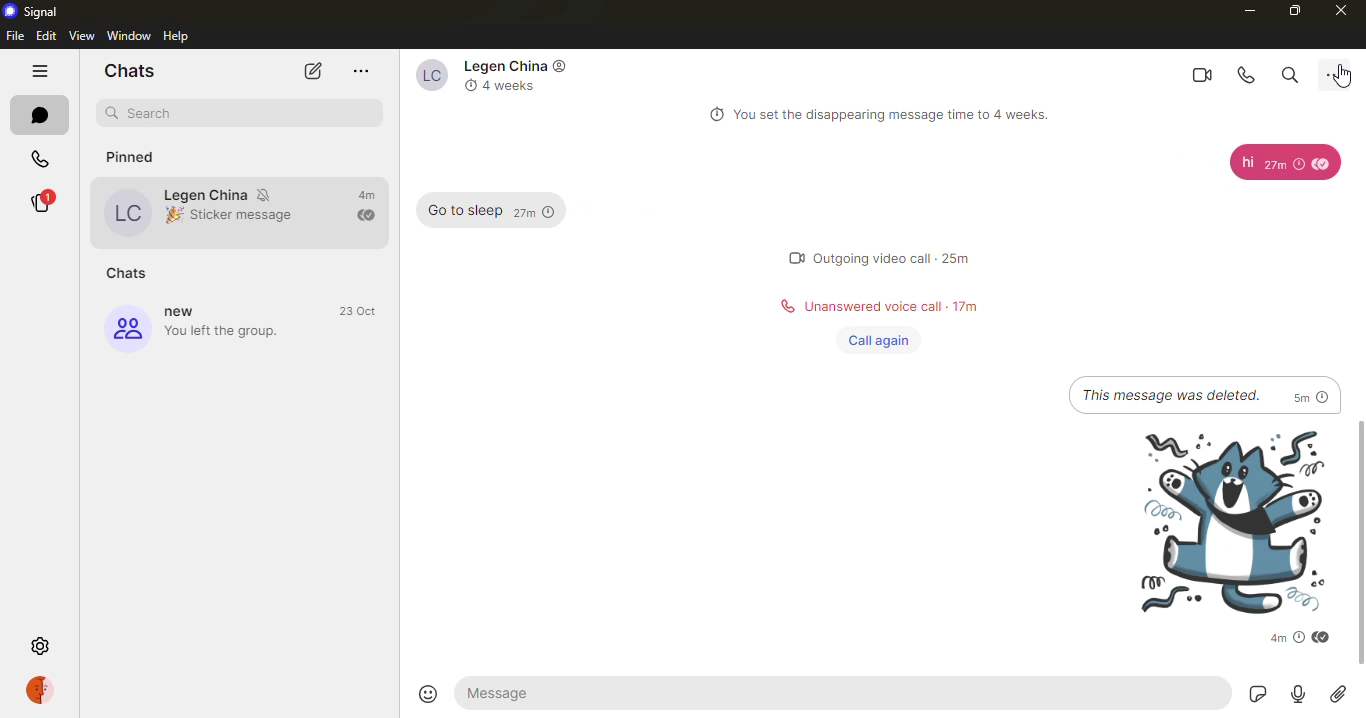 The width and height of the screenshot is (1366, 718). What do you see at coordinates (186, 312) in the screenshot?
I see `New` at bounding box center [186, 312].